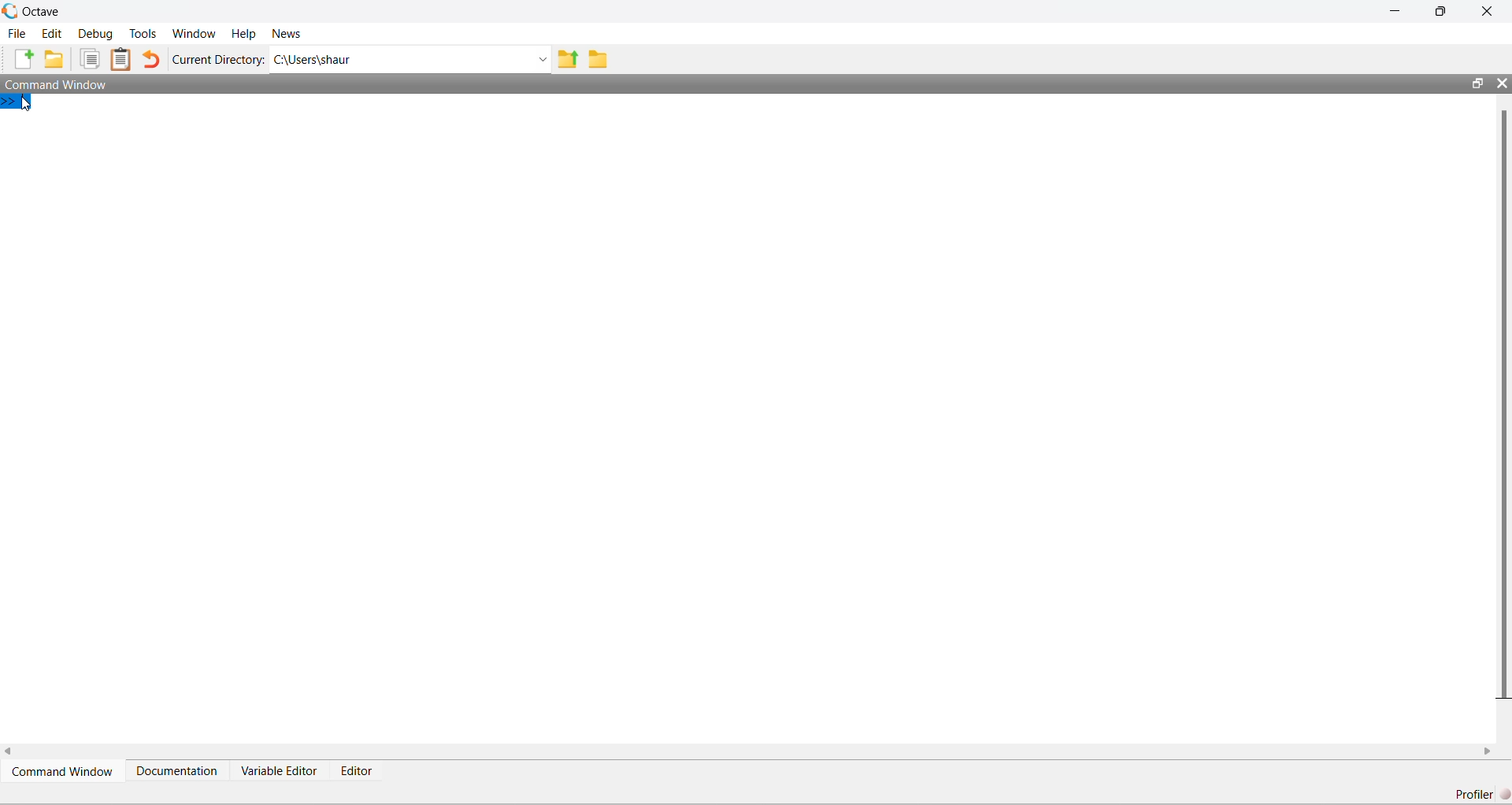 The image size is (1512, 805). Describe the element at coordinates (358, 771) in the screenshot. I see `Editor` at that location.